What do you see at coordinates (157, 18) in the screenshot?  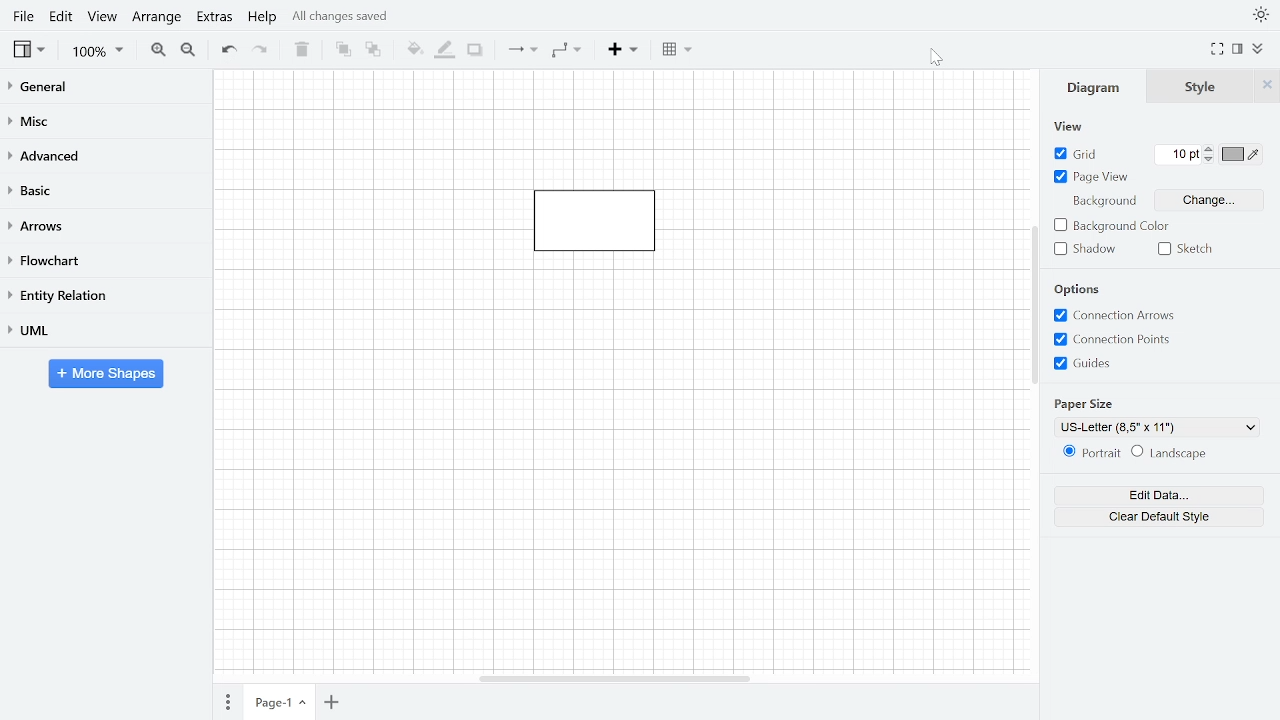 I see `Arrange` at bounding box center [157, 18].